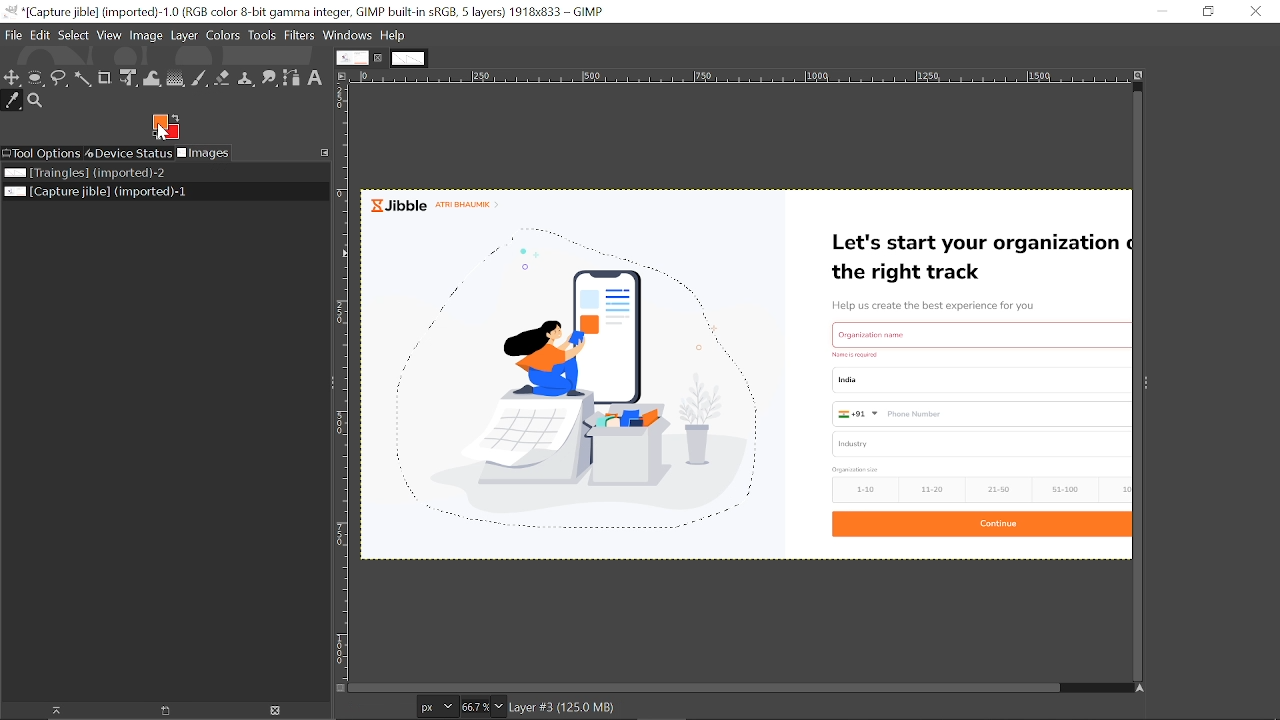 The height and width of the screenshot is (720, 1280). Describe the element at coordinates (684, 708) in the screenshot. I see `Layer of the current image` at that location.